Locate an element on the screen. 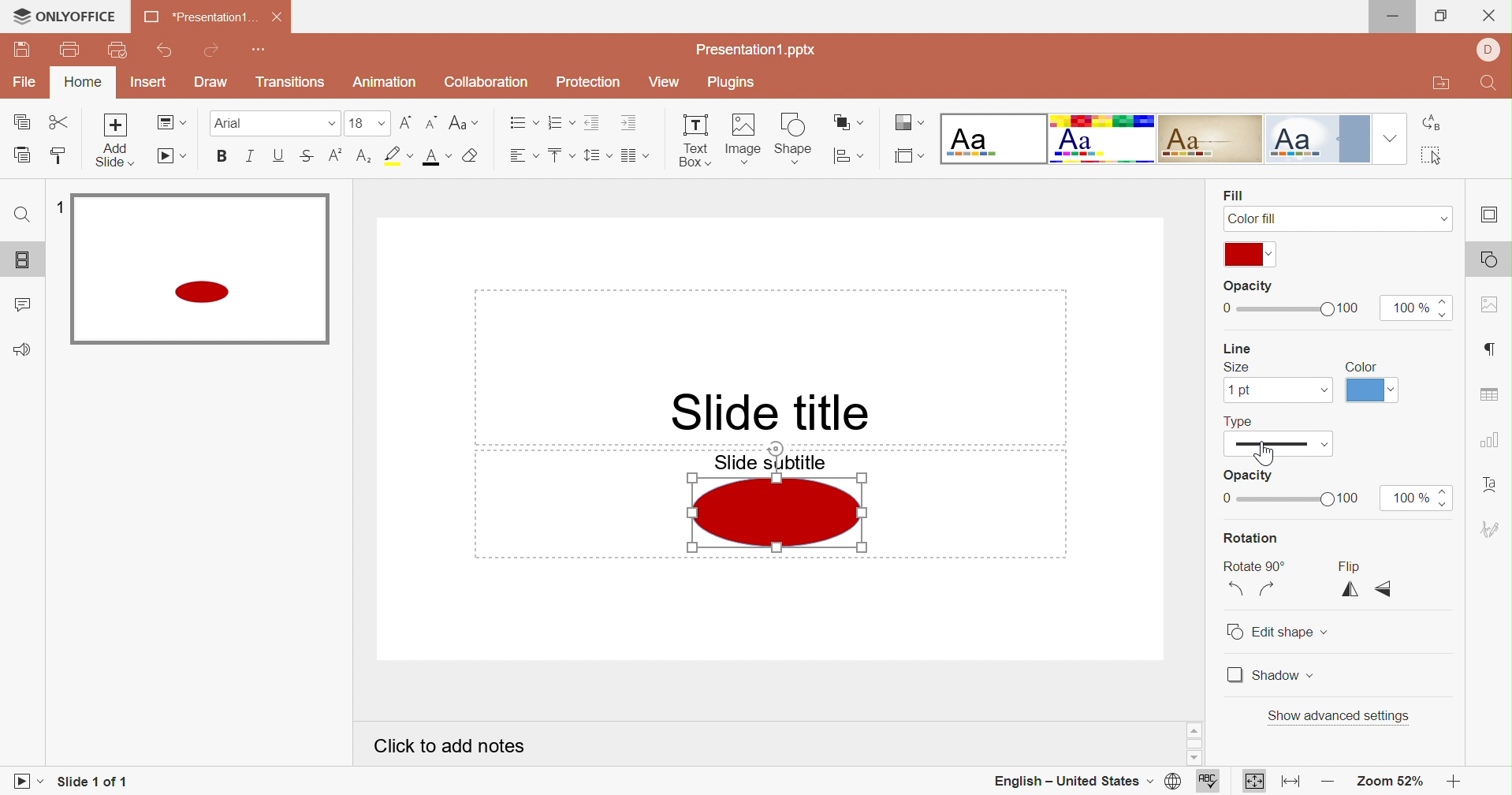  Size is located at coordinates (1237, 368).